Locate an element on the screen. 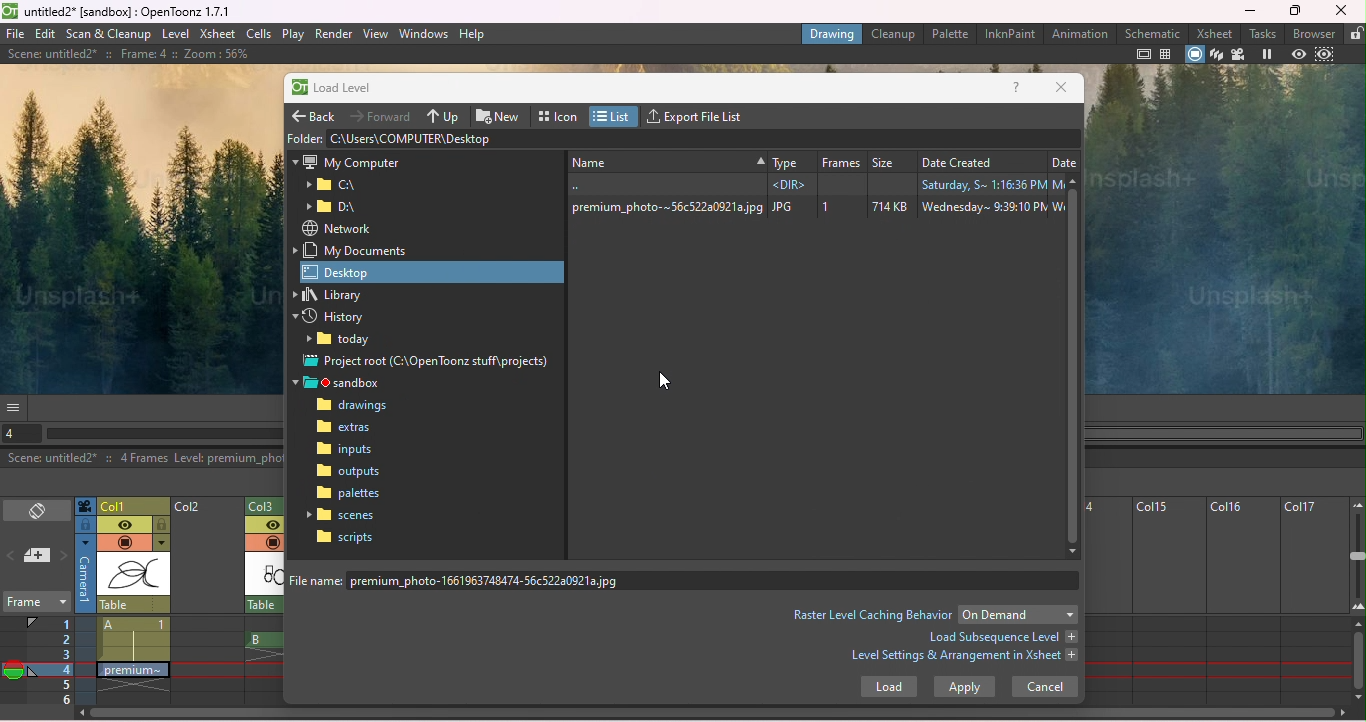  Export file list is located at coordinates (700, 114).